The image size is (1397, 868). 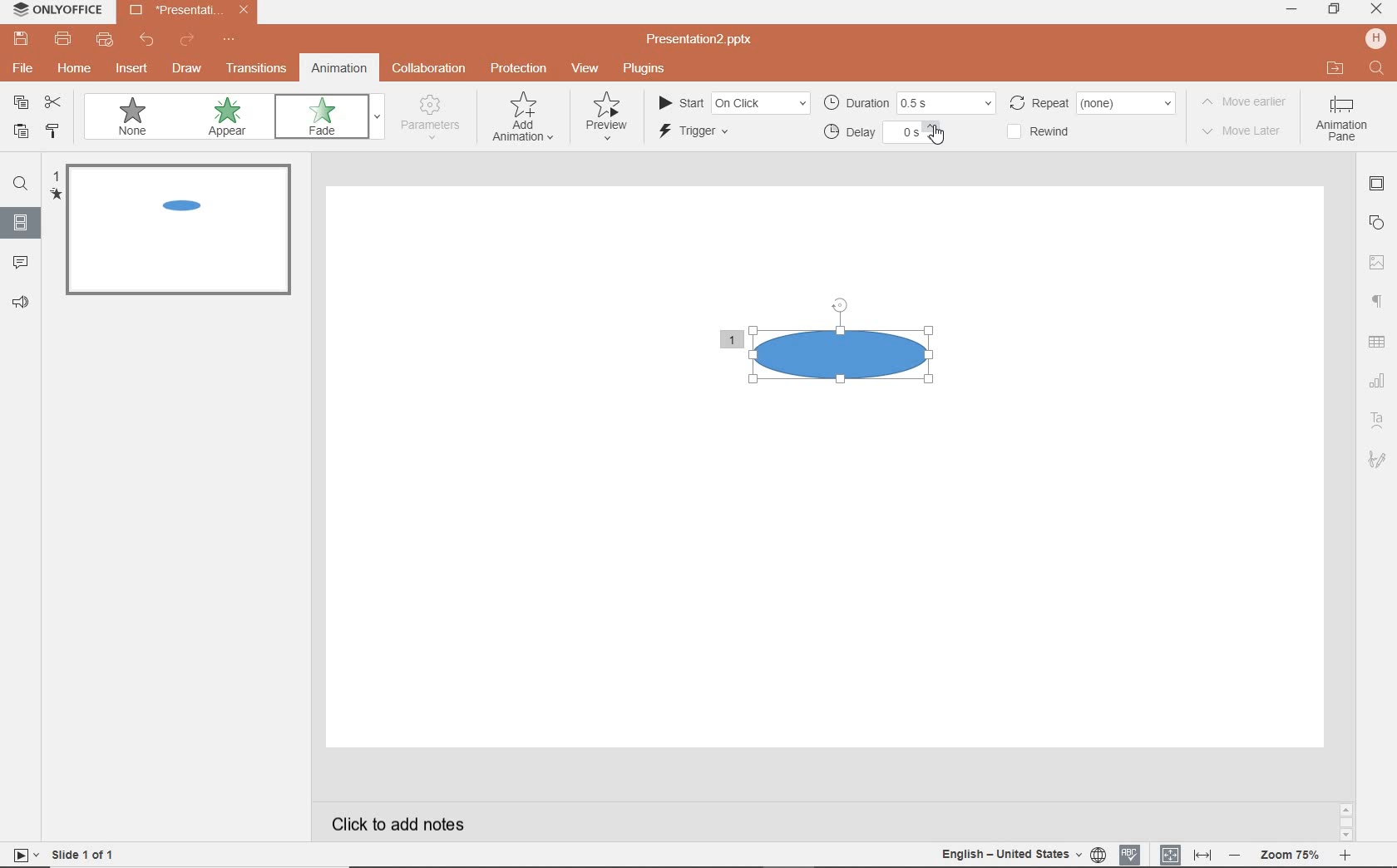 What do you see at coordinates (22, 101) in the screenshot?
I see `copy` at bounding box center [22, 101].